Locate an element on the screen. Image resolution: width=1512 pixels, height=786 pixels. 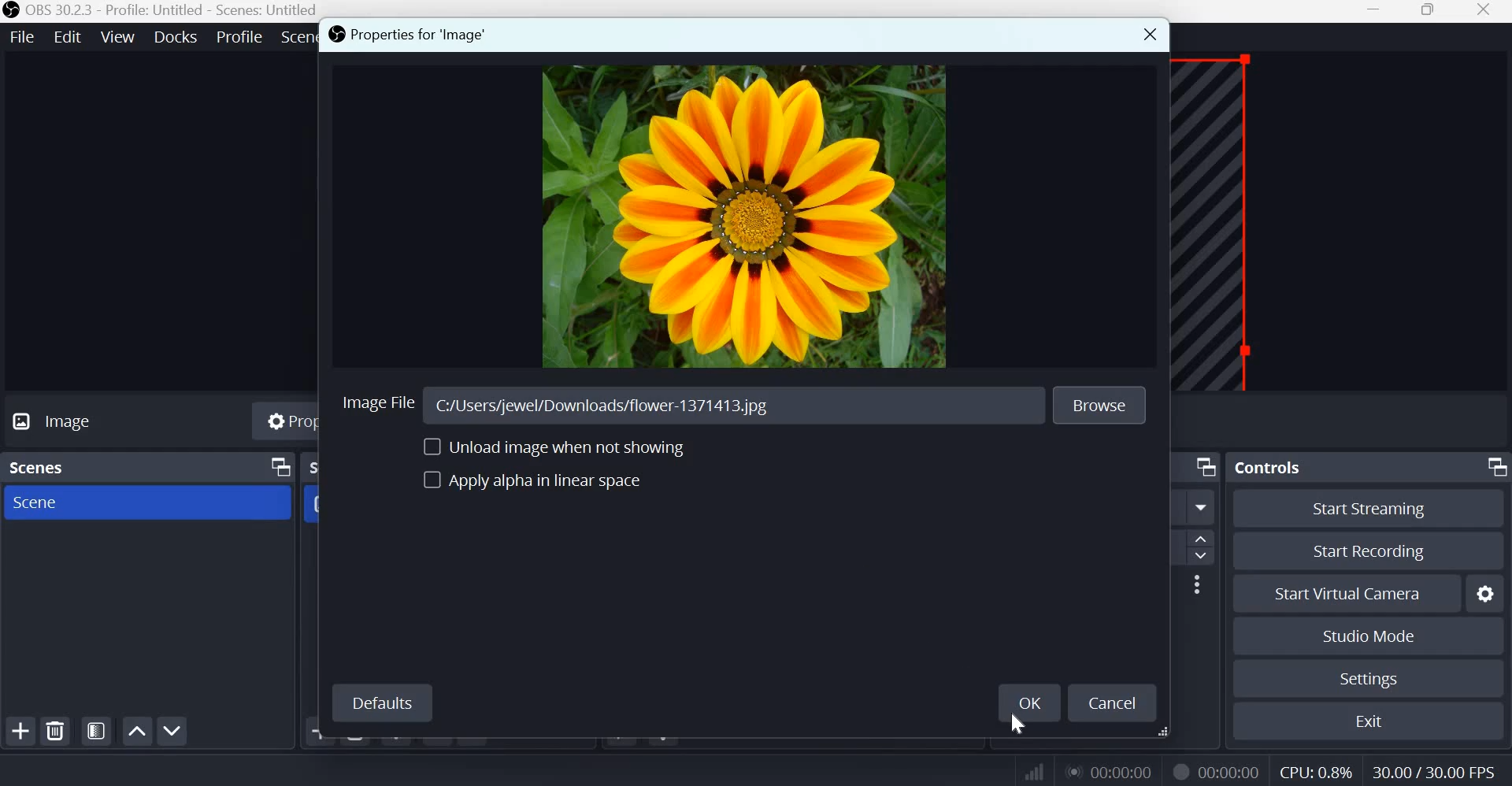
Studio mode is located at coordinates (1369, 635).